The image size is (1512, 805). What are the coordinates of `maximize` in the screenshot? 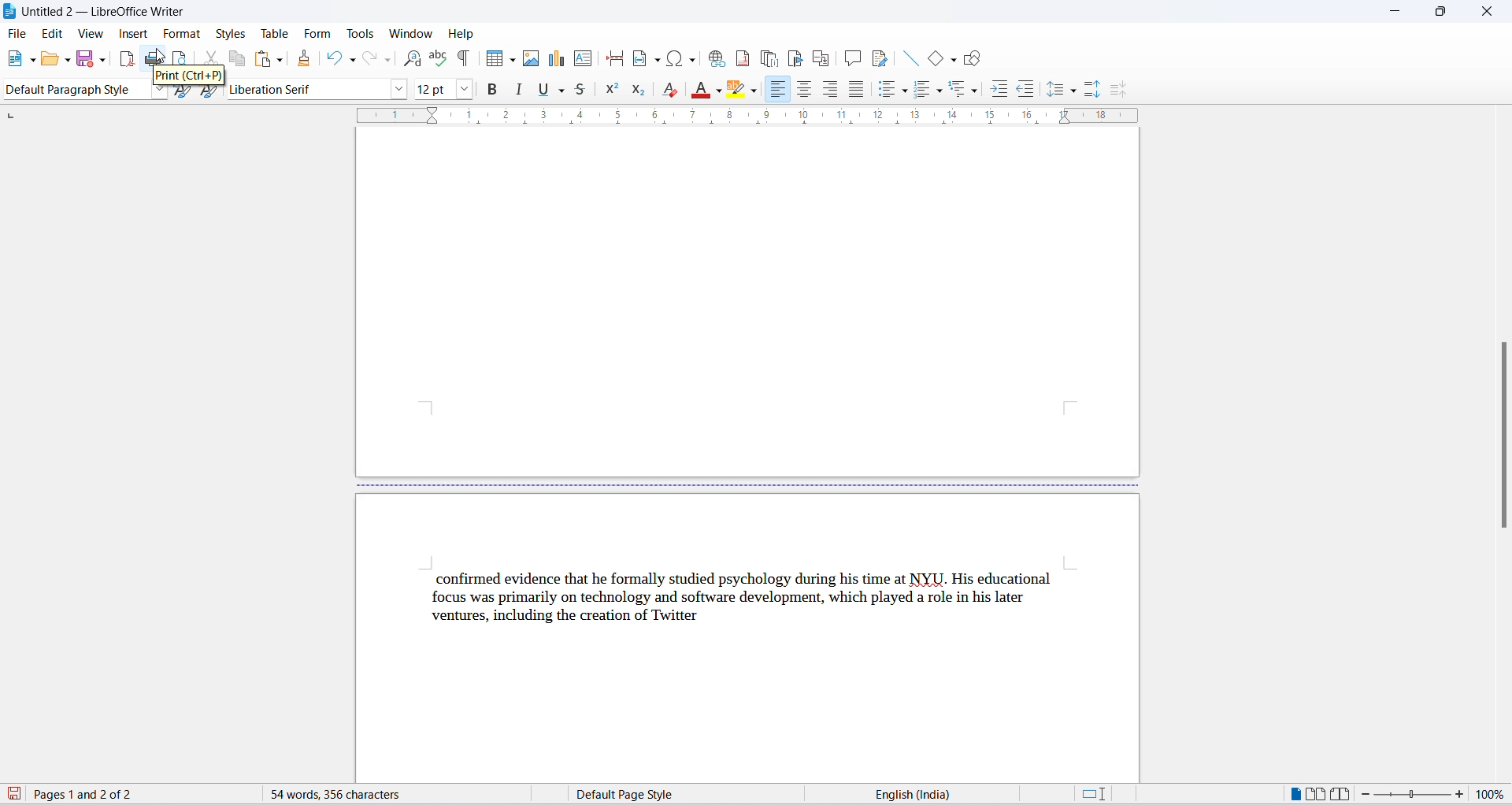 It's located at (1441, 13).